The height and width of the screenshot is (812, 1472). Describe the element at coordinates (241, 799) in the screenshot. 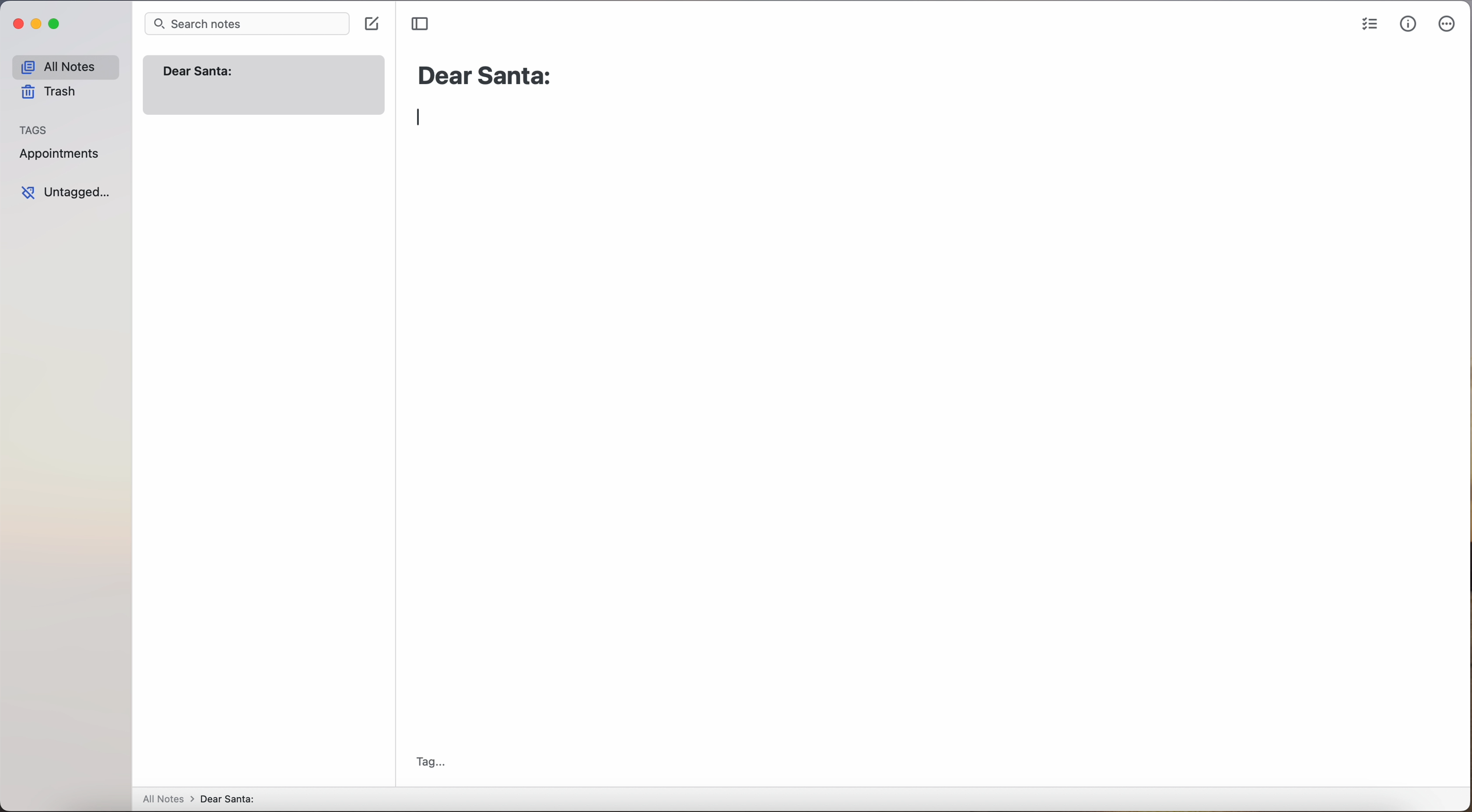

I see `dear santa` at that location.